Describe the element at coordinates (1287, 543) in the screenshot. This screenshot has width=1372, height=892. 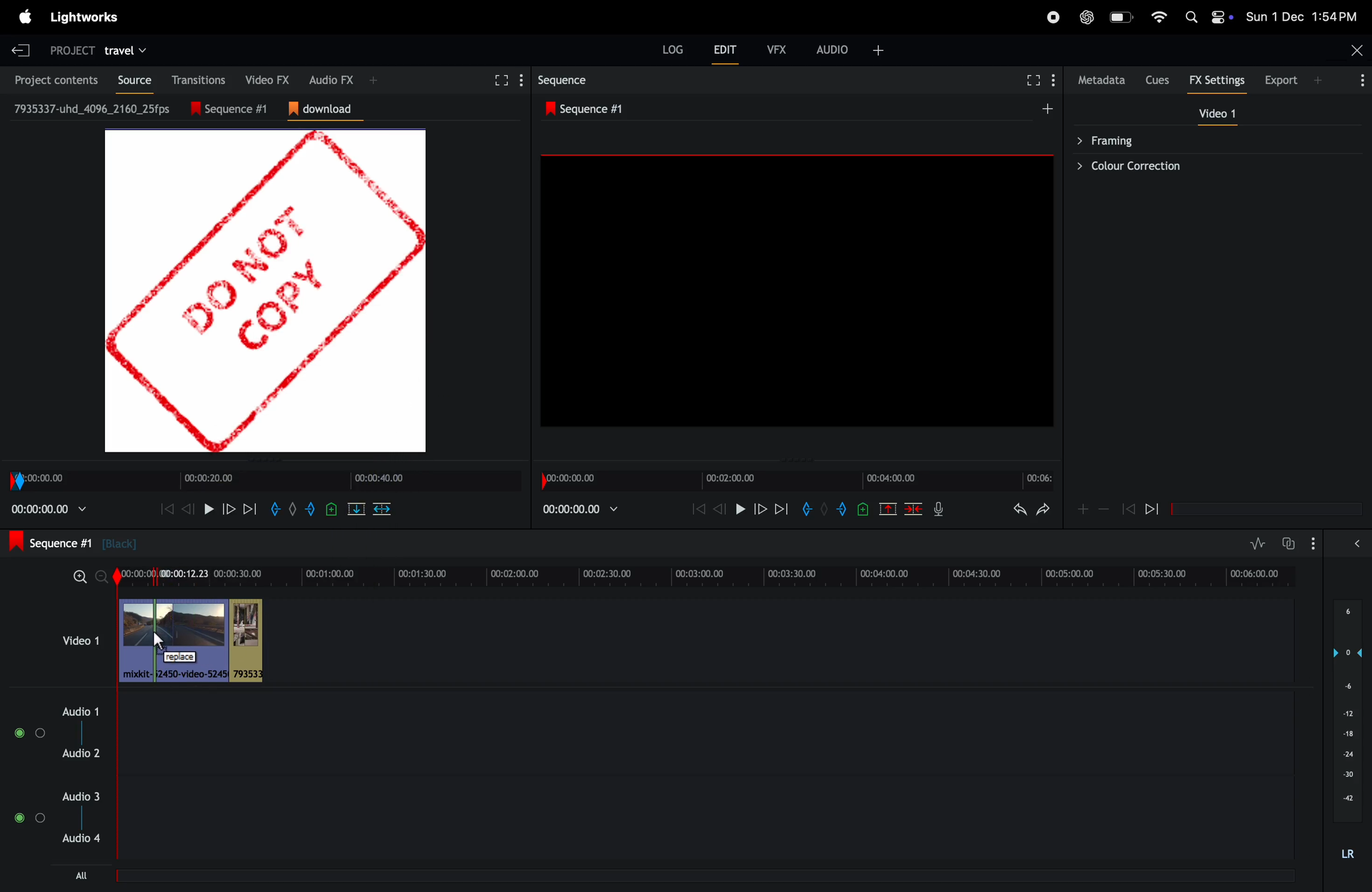
I see `toggle auto track sync` at that location.